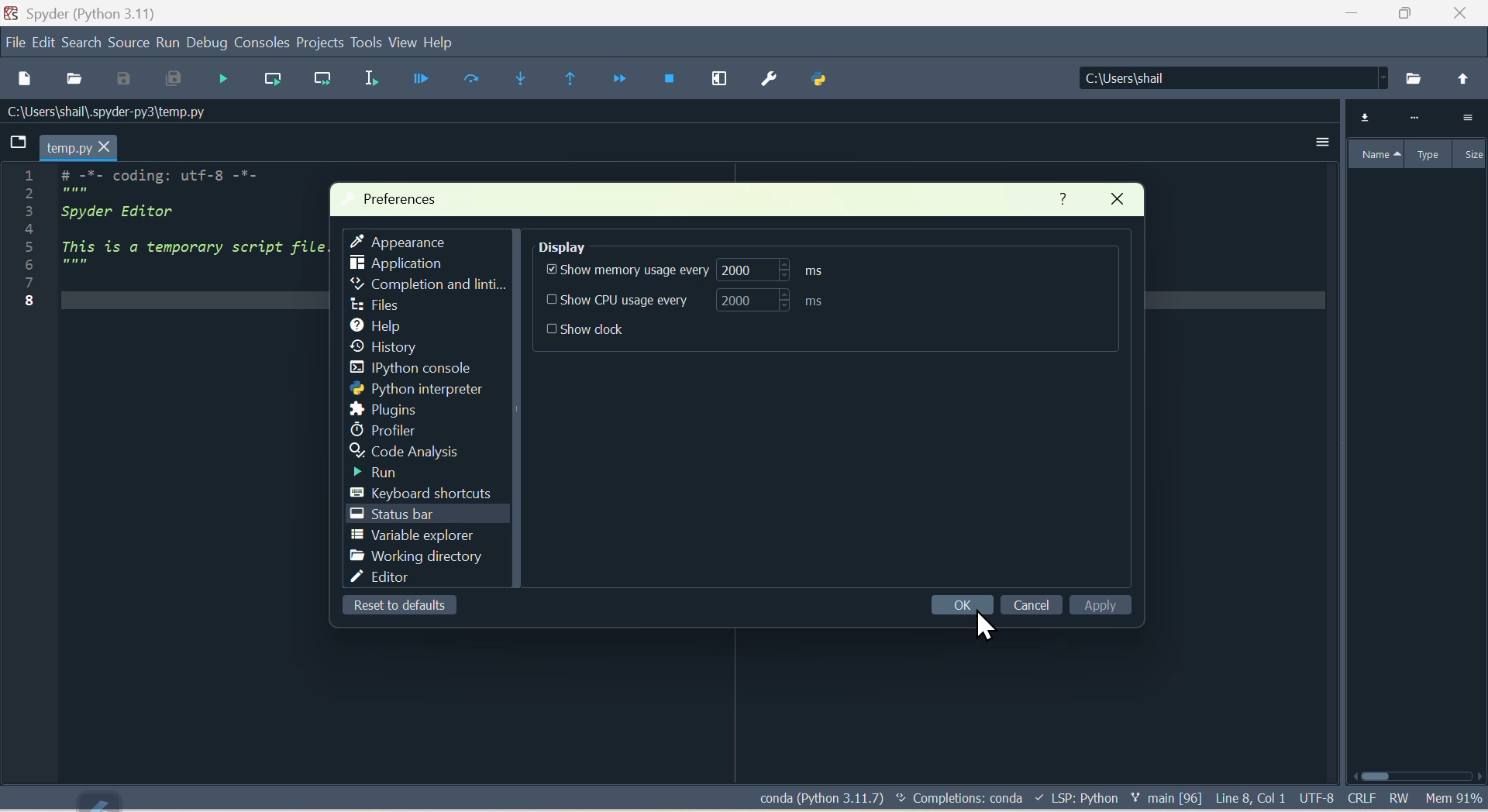 This screenshot has width=1488, height=812. I want to click on Python interpreter, so click(414, 389).